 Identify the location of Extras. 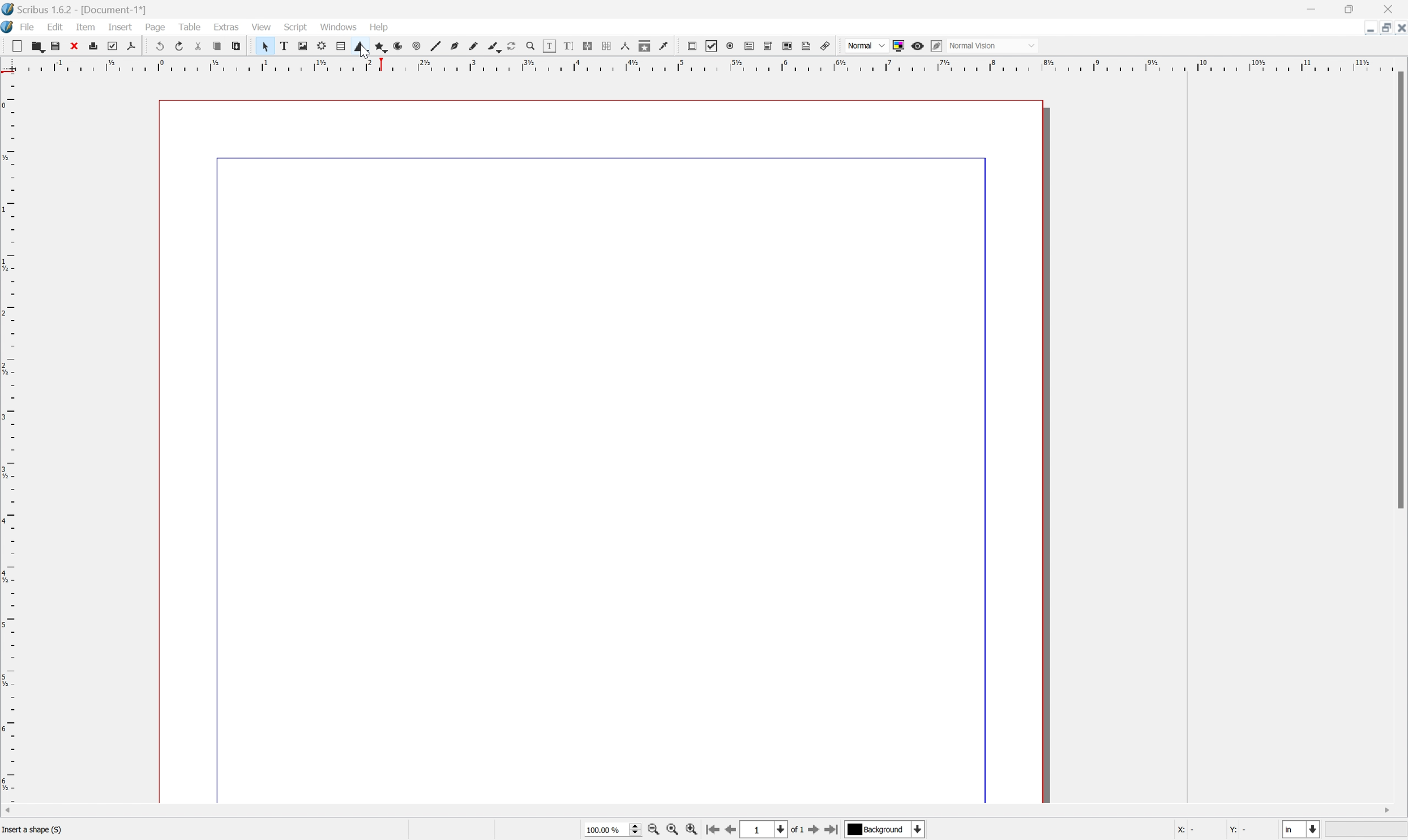
(226, 26).